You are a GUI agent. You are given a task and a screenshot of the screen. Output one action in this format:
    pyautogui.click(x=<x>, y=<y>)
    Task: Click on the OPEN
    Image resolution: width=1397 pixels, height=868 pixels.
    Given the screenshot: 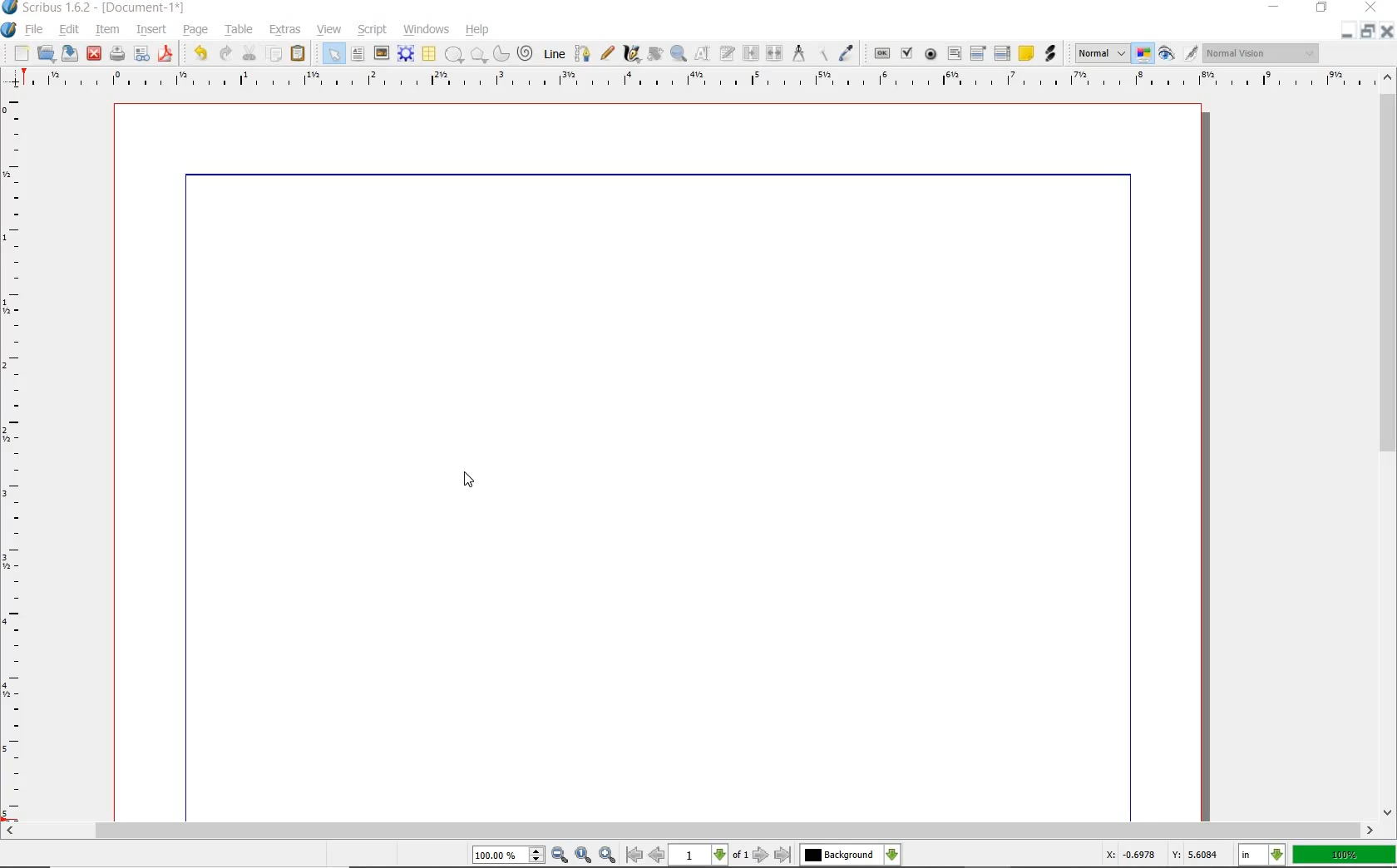 What is the action you would take?
    pyautogui.click(x=46, y=52)
    